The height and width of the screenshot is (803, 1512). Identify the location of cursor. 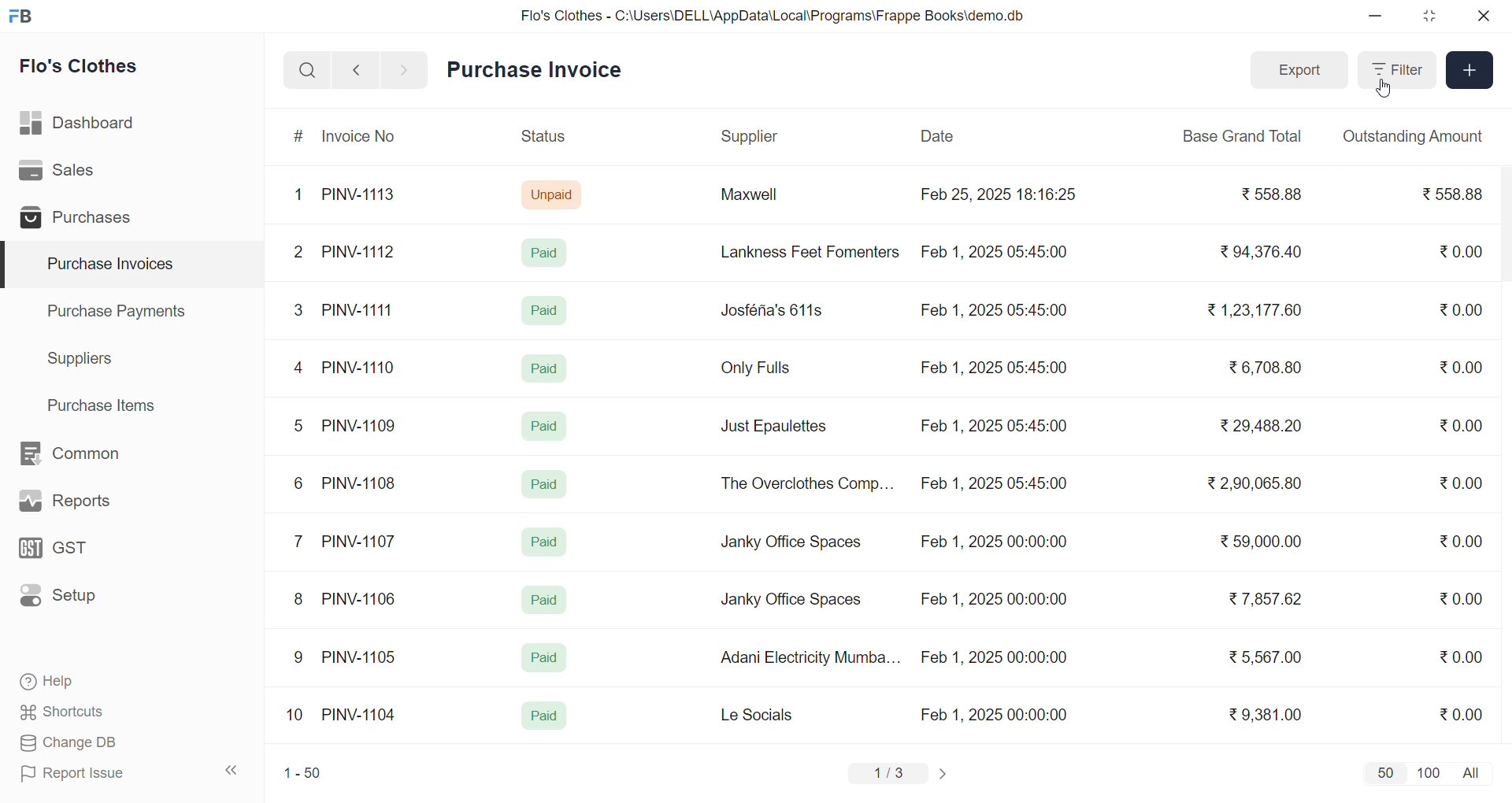
(1386, 92).